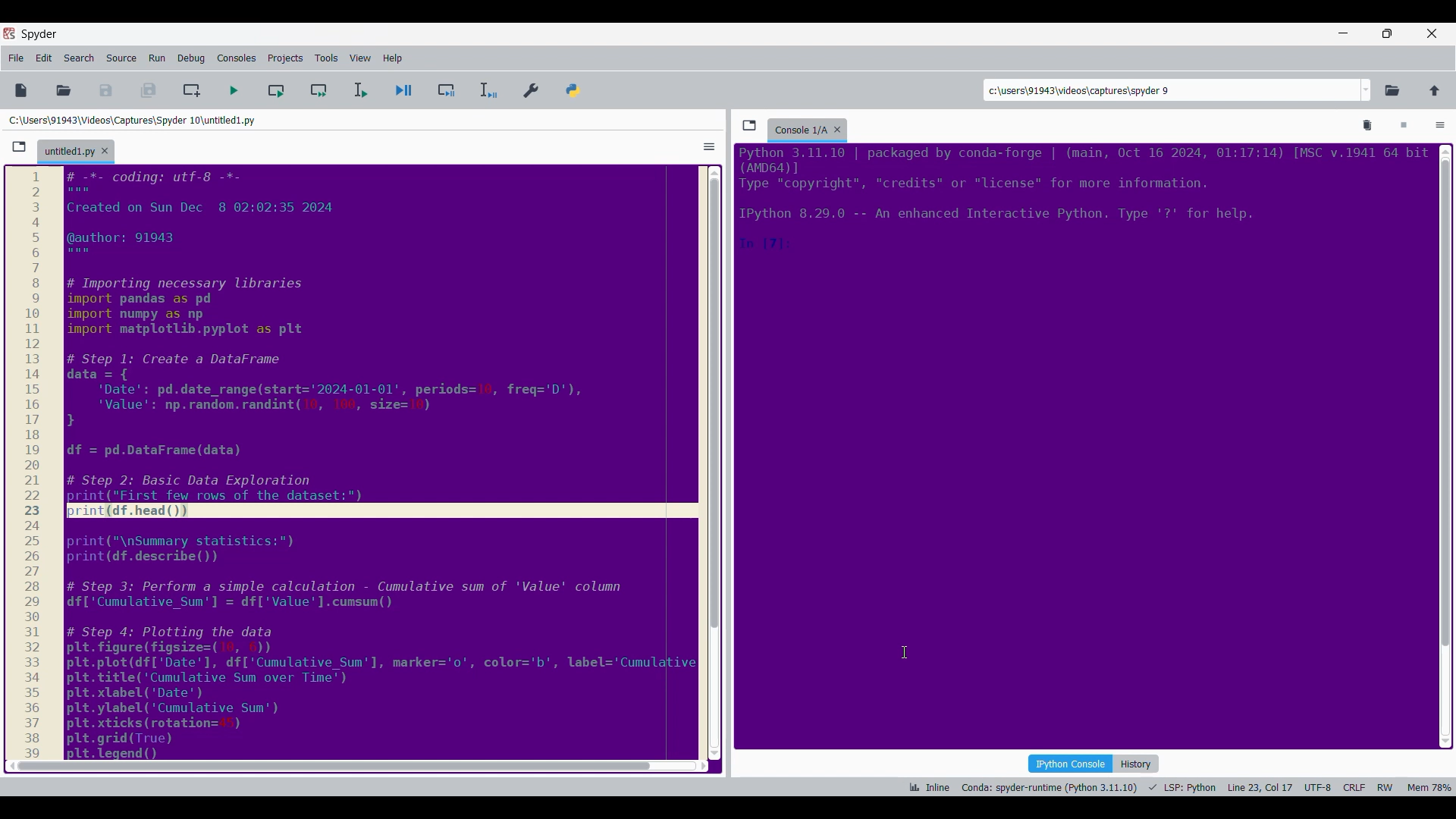 The width and height of the screenshot is (1456, 819). What do you see at coordinates (1171, 90) in the screenshot?
I see `Enter locations` at bounding box center [1171, 90].